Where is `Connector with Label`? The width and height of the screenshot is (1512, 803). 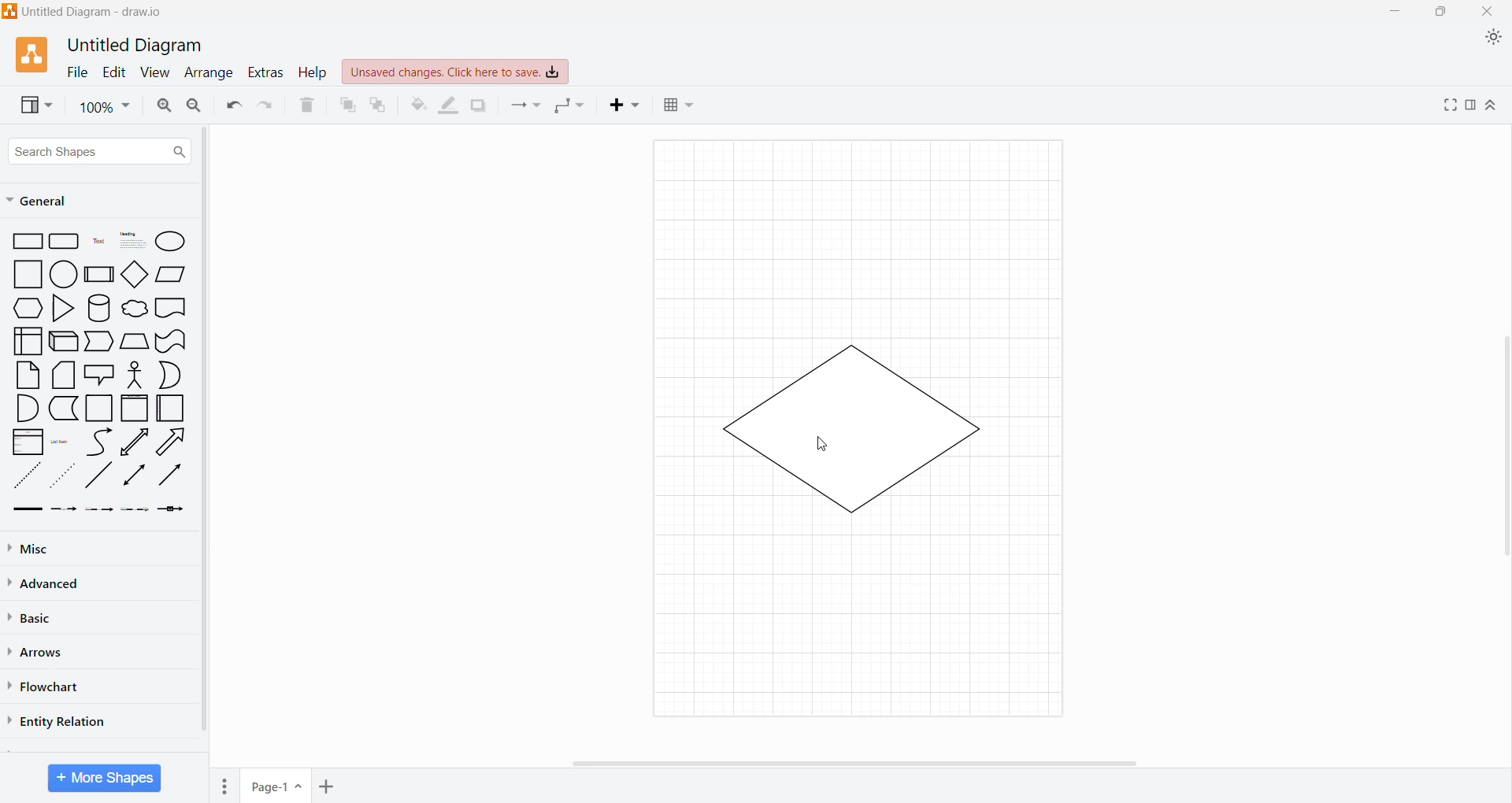 Connector with Label is located at coordinates (65, 510).